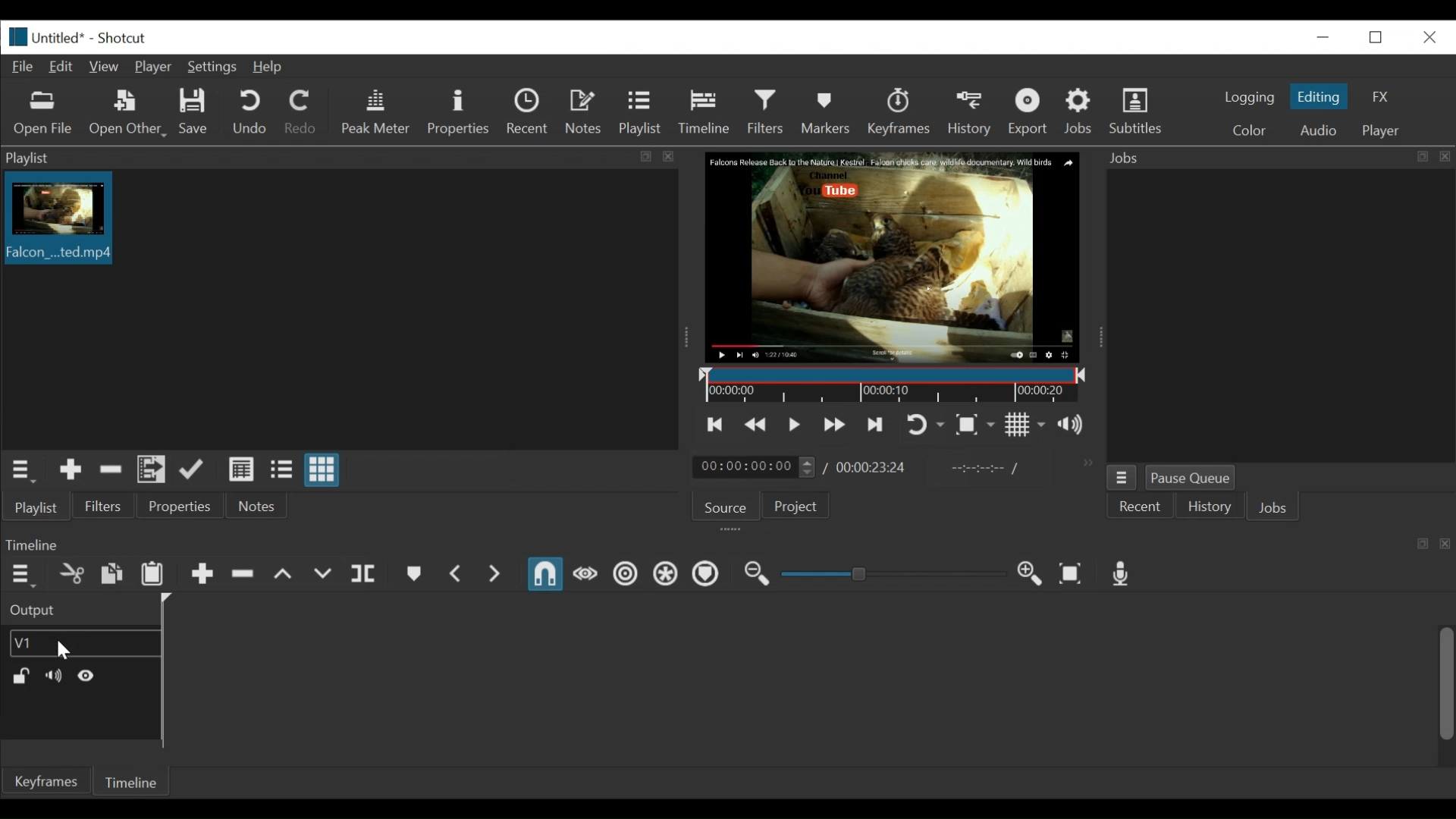  What do you see at coordinates (77, 610) in the screenshot?
I see `Output ` at bounding box center [77, 610].